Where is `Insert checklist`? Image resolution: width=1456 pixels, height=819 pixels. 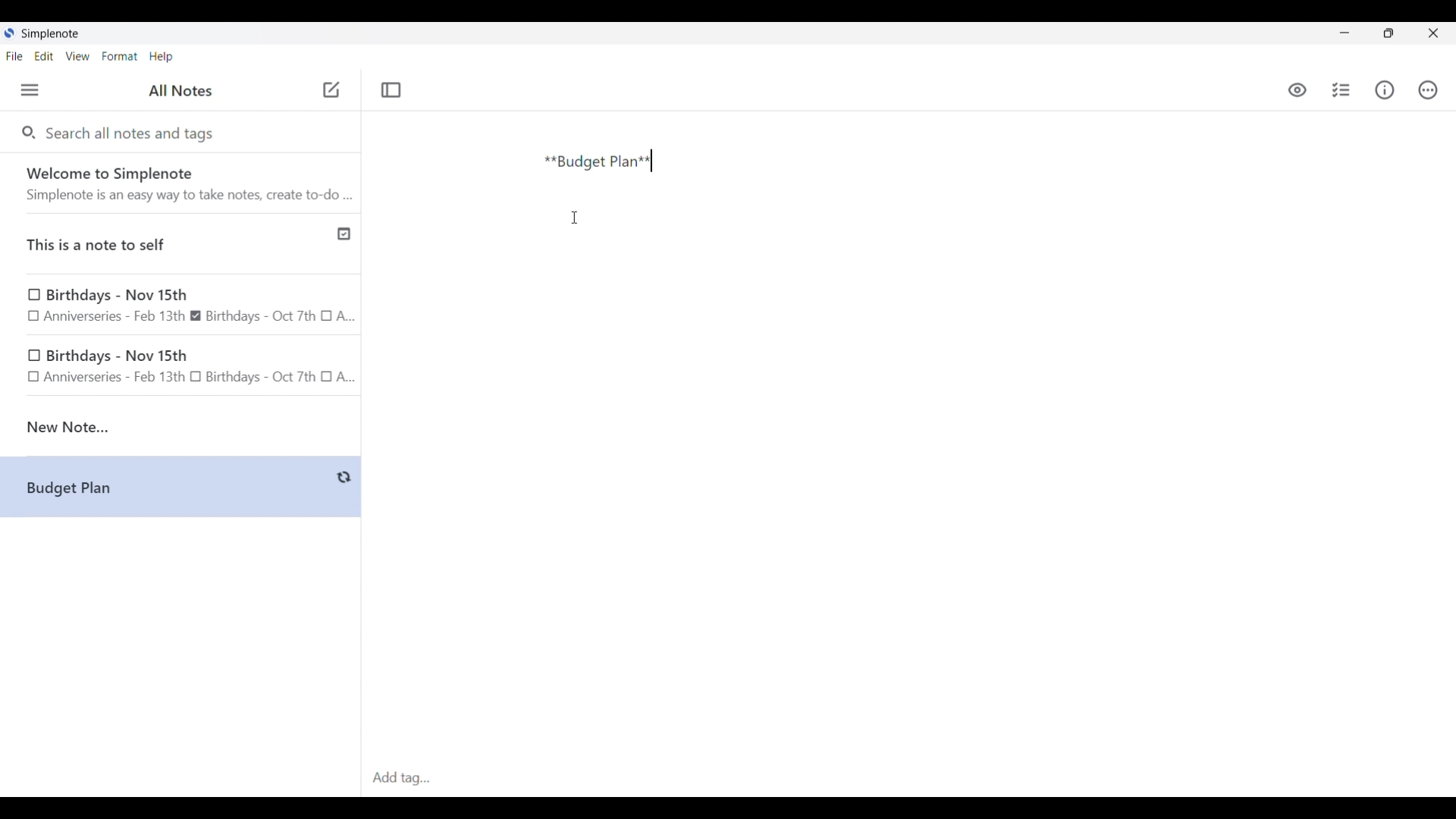 Insert checklist is located at coordinates (1342, 90).